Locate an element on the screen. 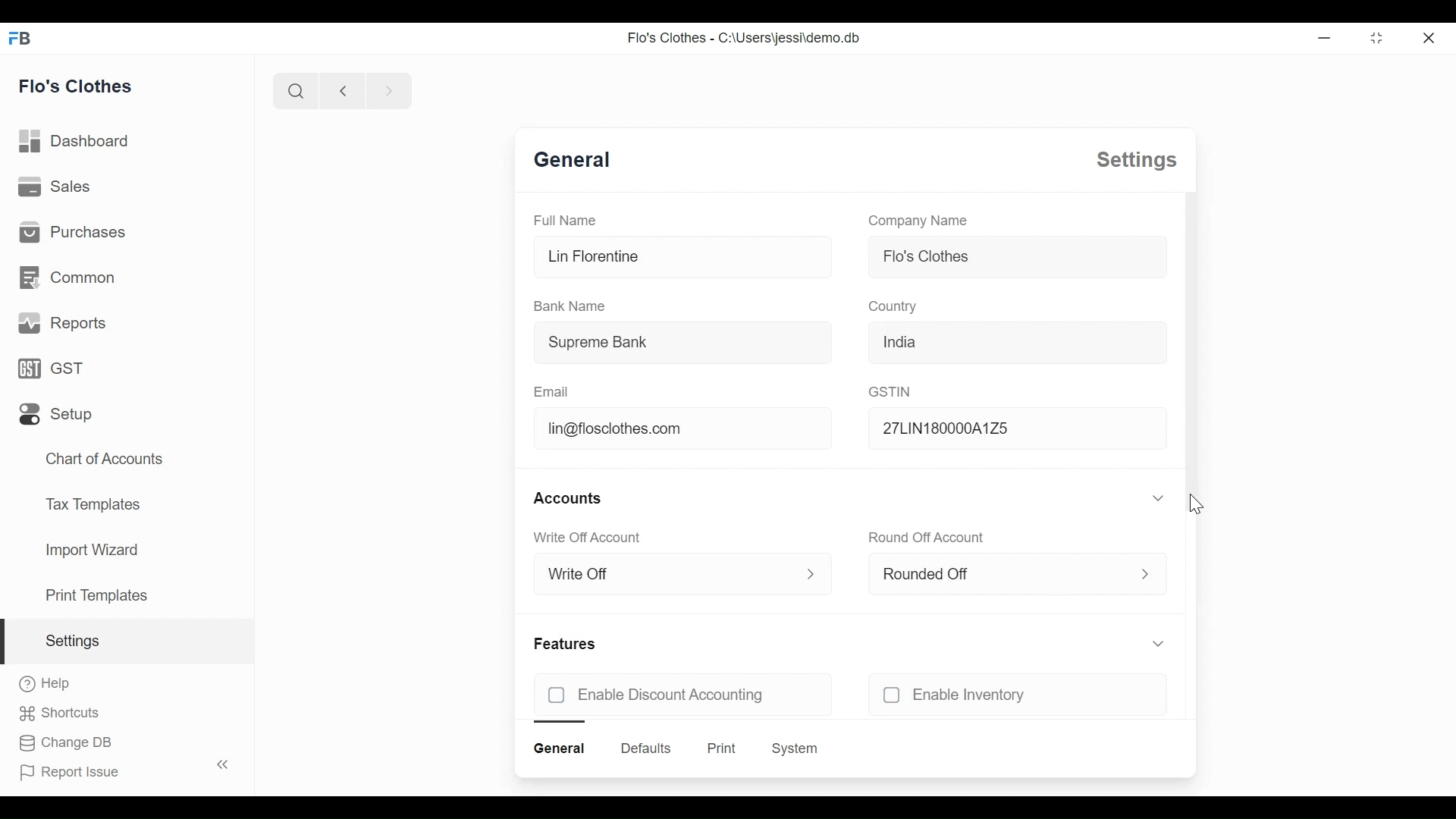 This screenshot has height=819, width=1456. Report Issue is located at coordinates (121, 769).